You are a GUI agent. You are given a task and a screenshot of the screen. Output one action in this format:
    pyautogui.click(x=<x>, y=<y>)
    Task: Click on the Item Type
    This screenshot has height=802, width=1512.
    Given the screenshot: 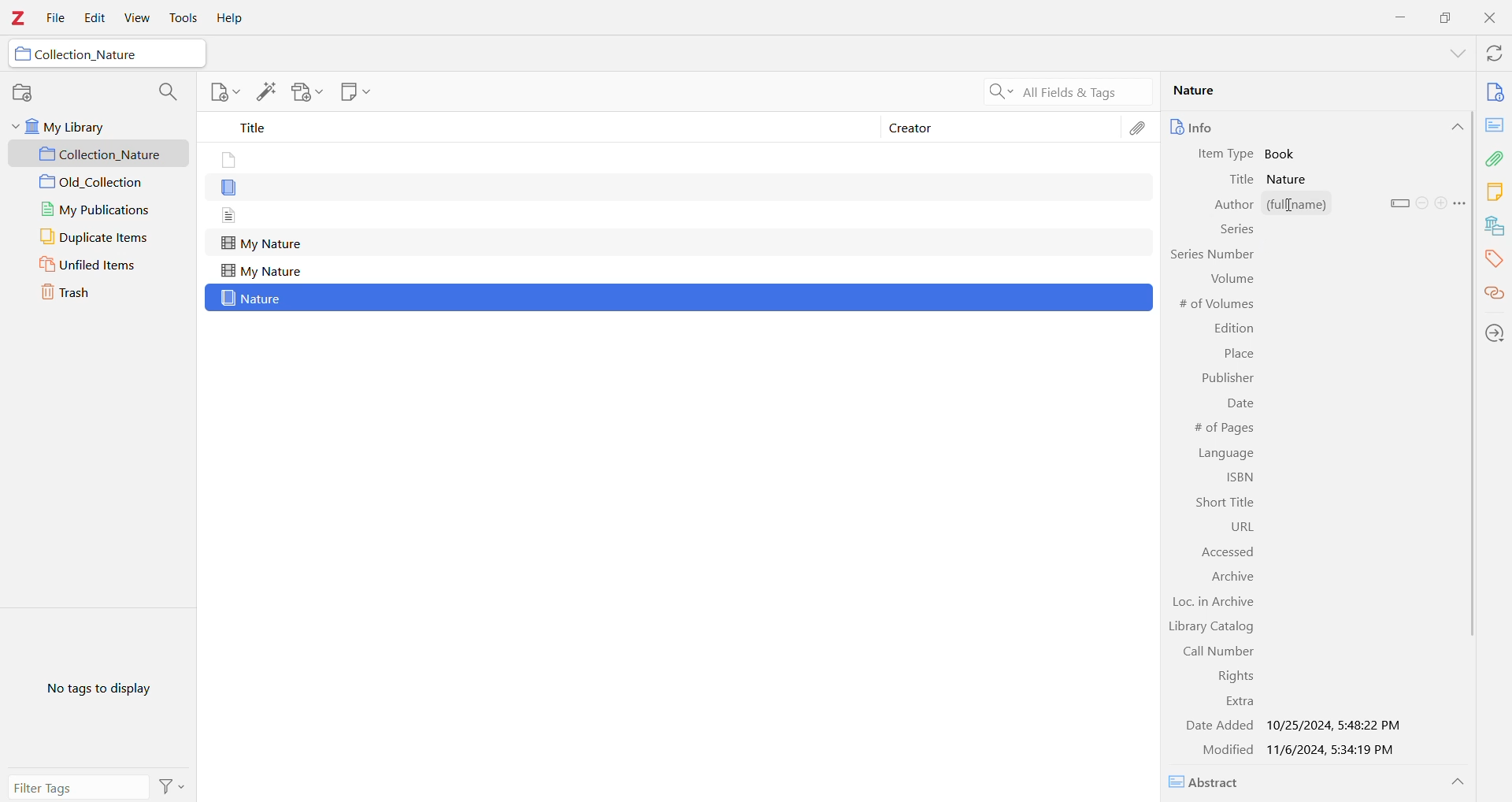 What is the action you would take?
    pyautogui.click(x=1228, y=154)
    